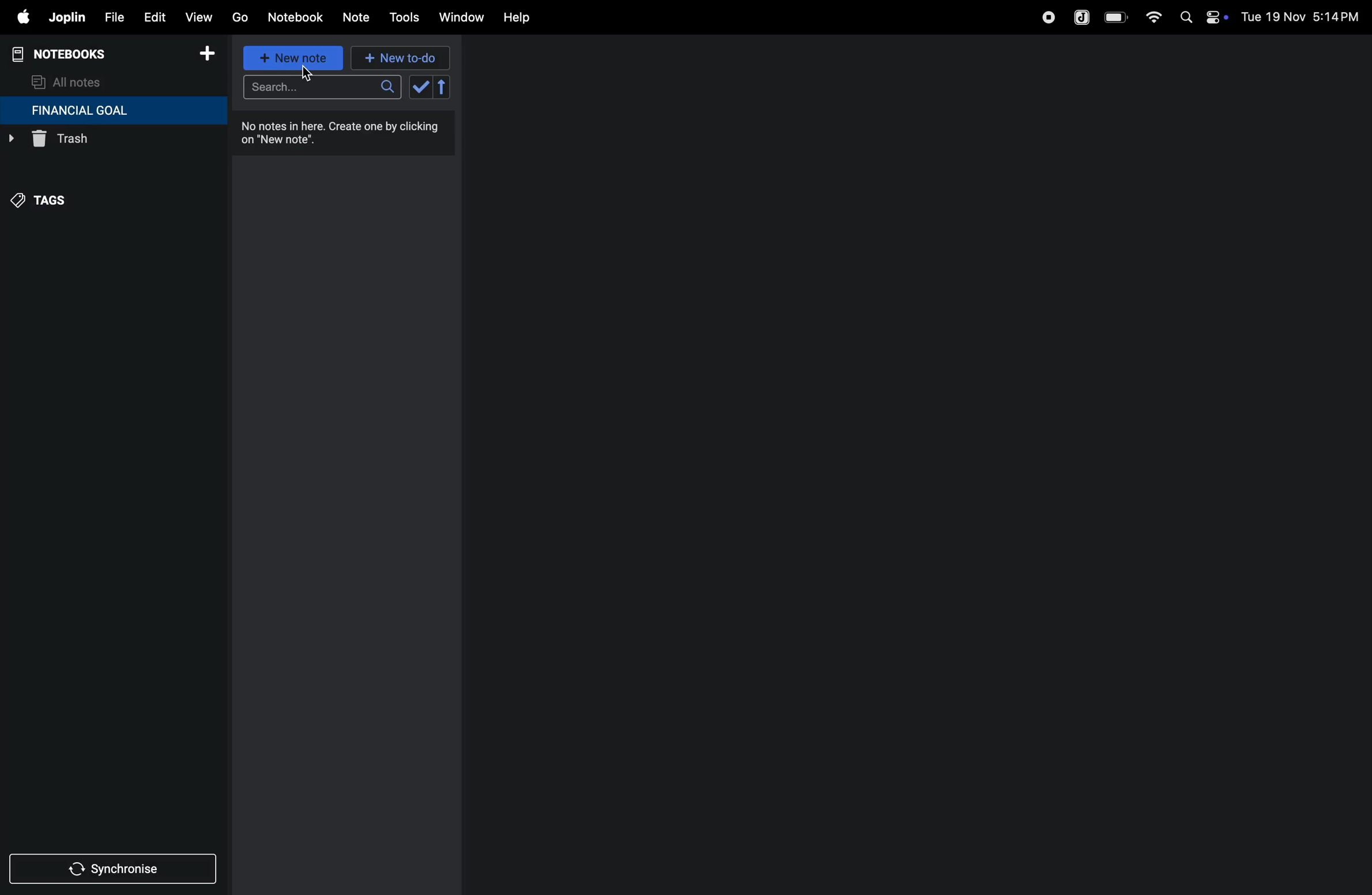 The image size is (1372, 895). Describe the element at coordinates (1047, 17) in the screenshot. I see `record` at that location.